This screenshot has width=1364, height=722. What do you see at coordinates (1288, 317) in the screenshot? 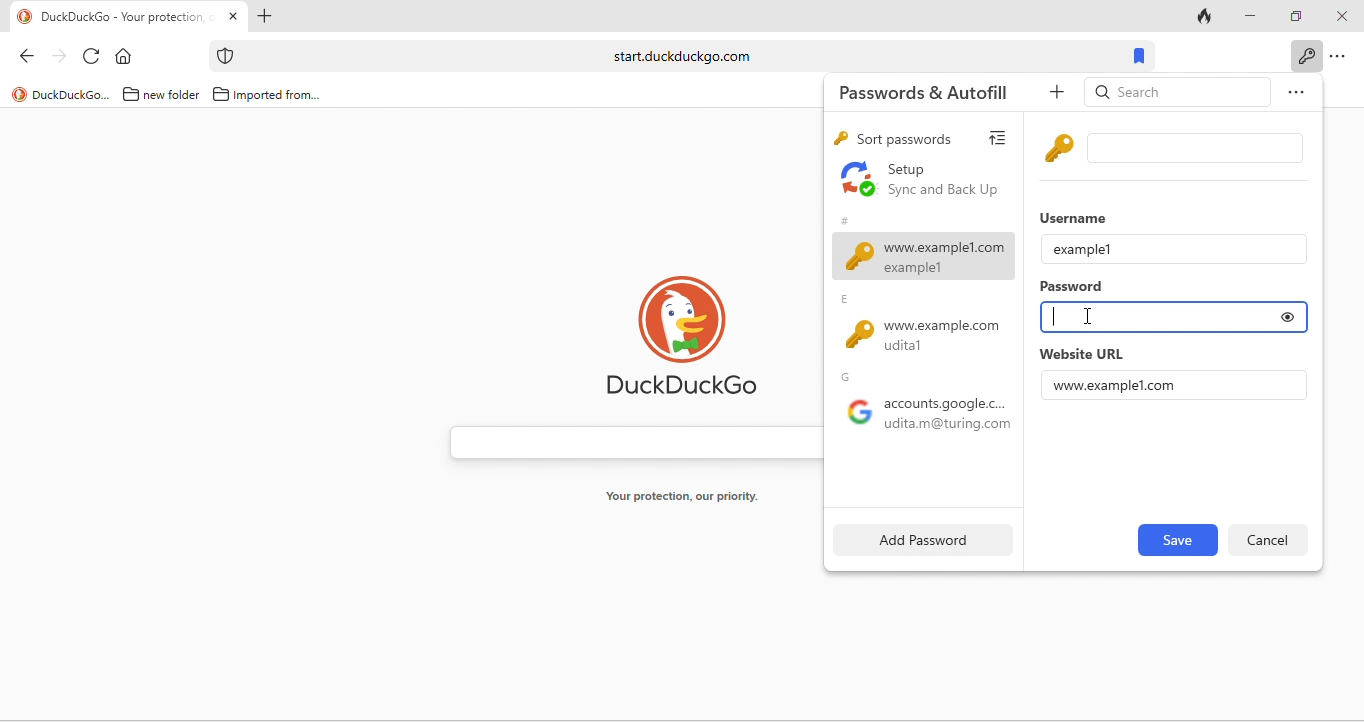
I see `toggle show or hide password` at bounding box center [1288, 317].